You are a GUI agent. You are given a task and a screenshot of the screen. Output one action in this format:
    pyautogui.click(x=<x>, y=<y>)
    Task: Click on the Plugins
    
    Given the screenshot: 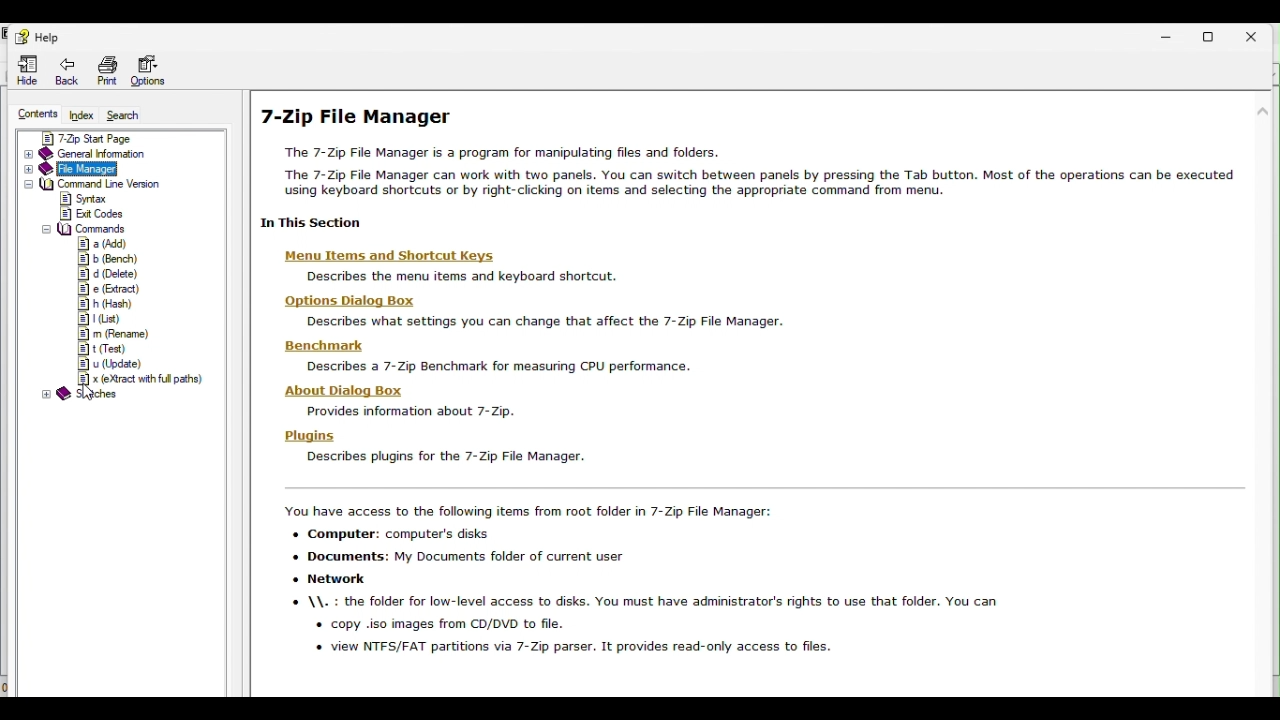 What is the action you would take?
    pyautogui.click(x=314, y=438)
    